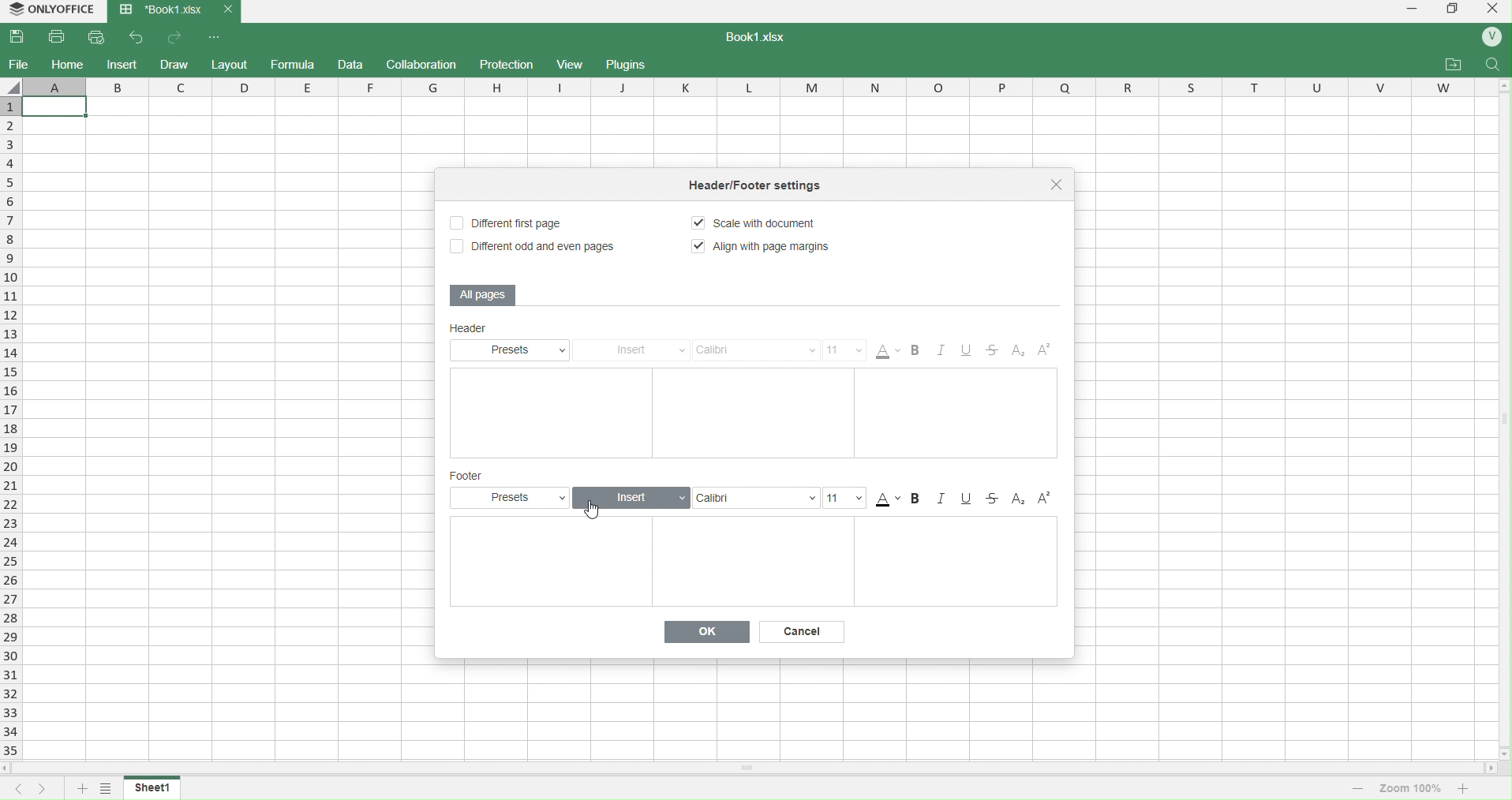  I want to click on plugins, so click(631, 65).